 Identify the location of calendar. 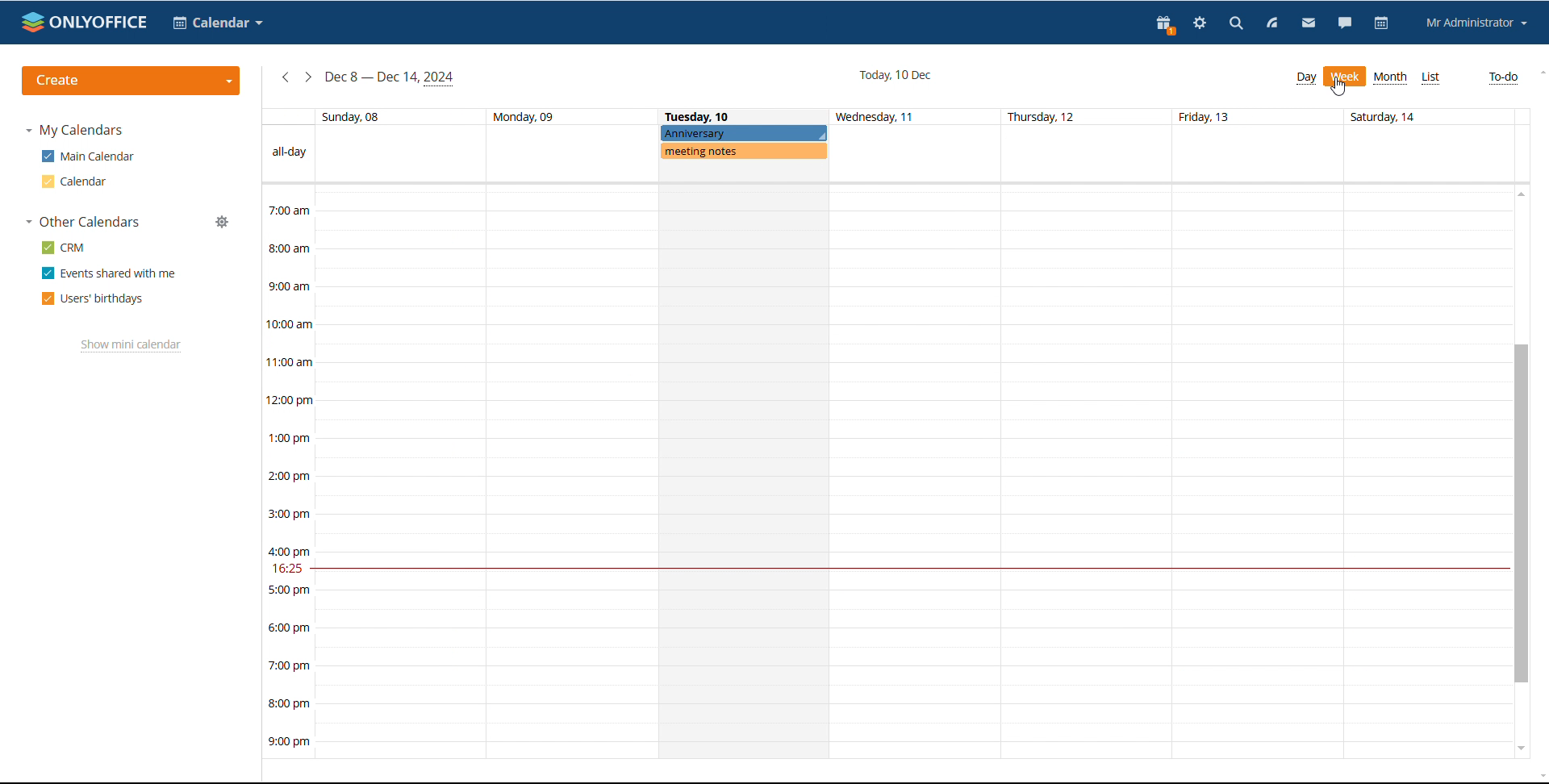
(73, 181).